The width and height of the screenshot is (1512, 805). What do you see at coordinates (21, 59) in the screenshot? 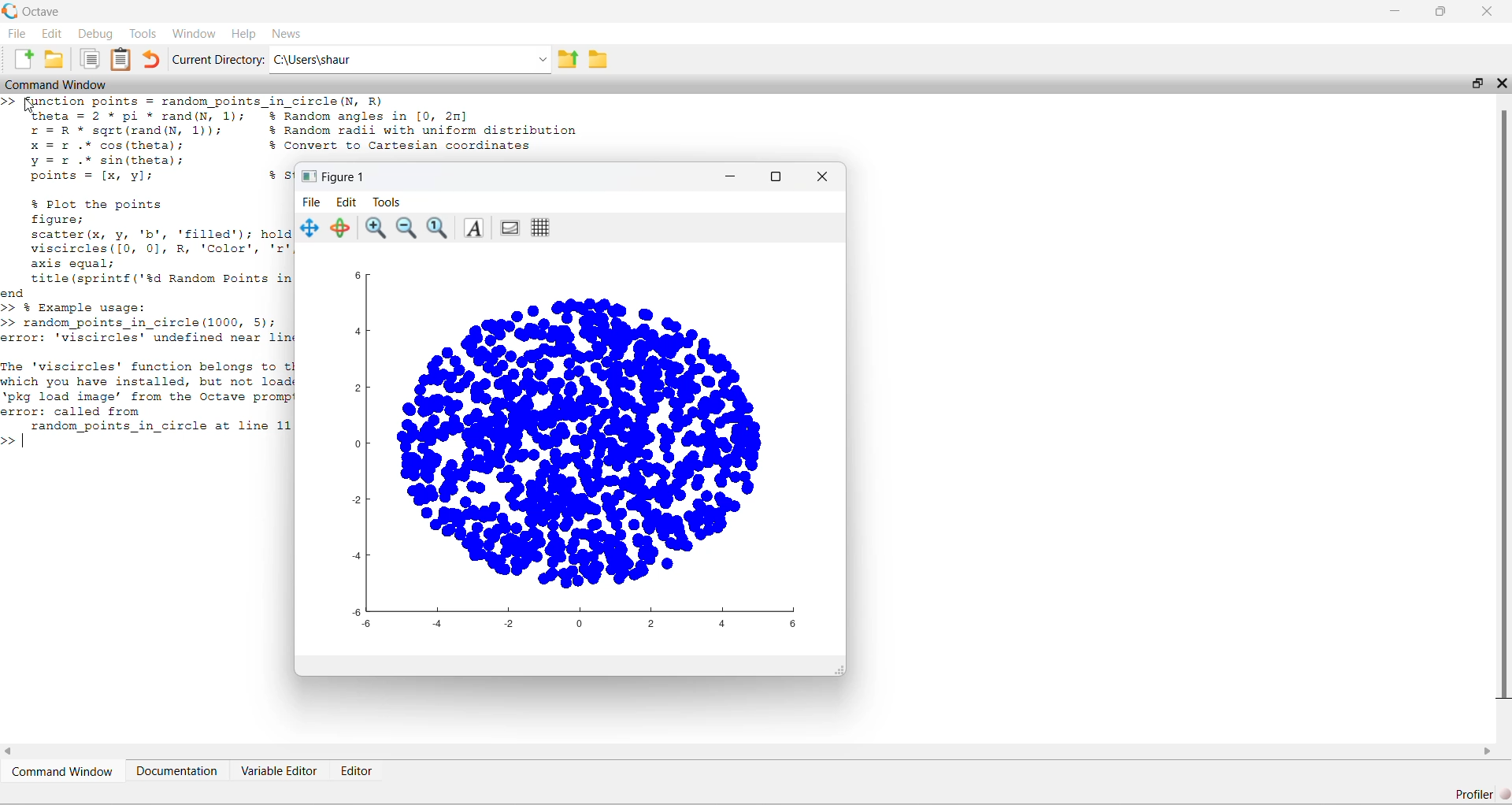
I see `New script` at bounding box center [21, 59].